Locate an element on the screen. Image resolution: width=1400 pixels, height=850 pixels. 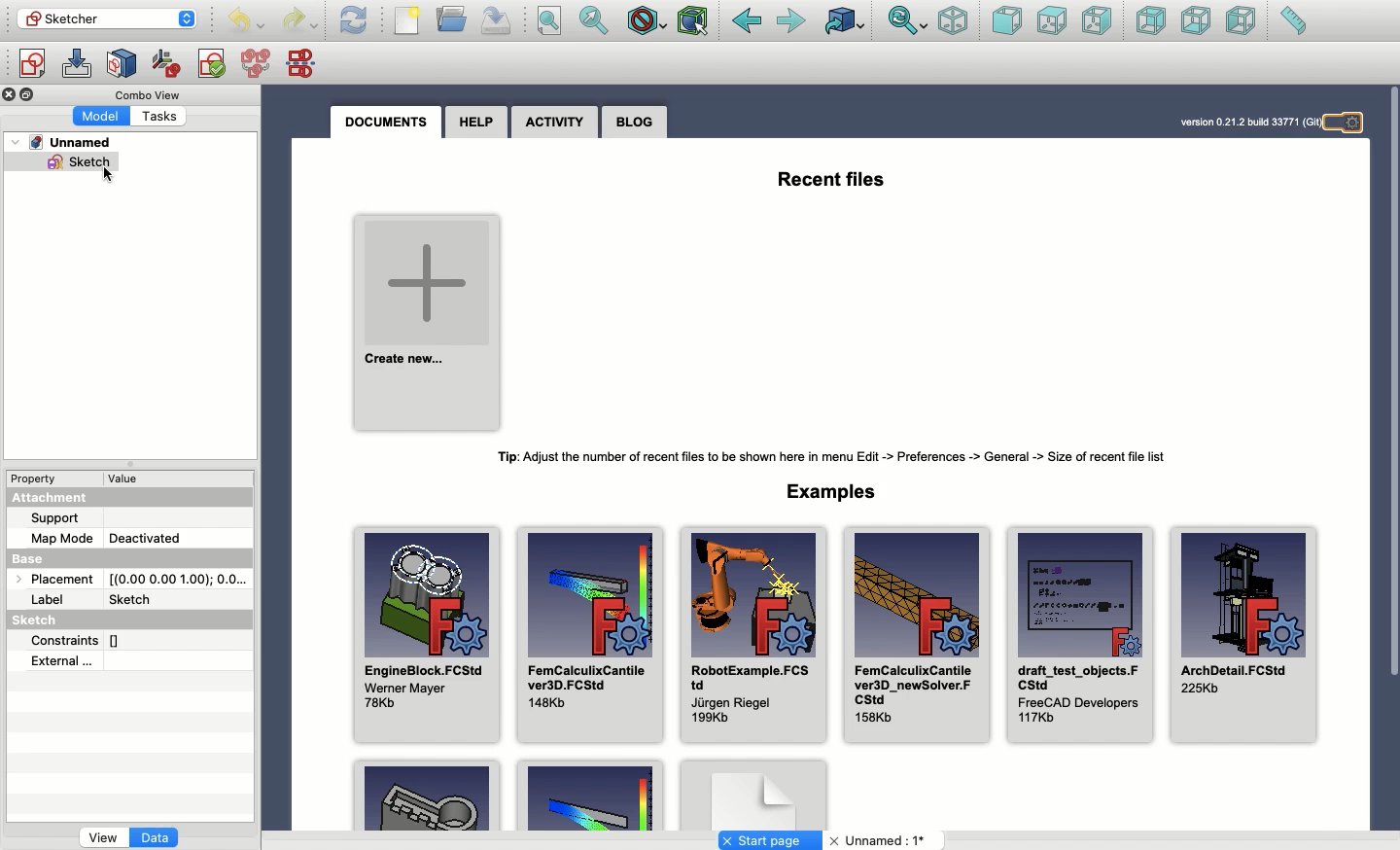
Open is located at coordinates (453, 18).